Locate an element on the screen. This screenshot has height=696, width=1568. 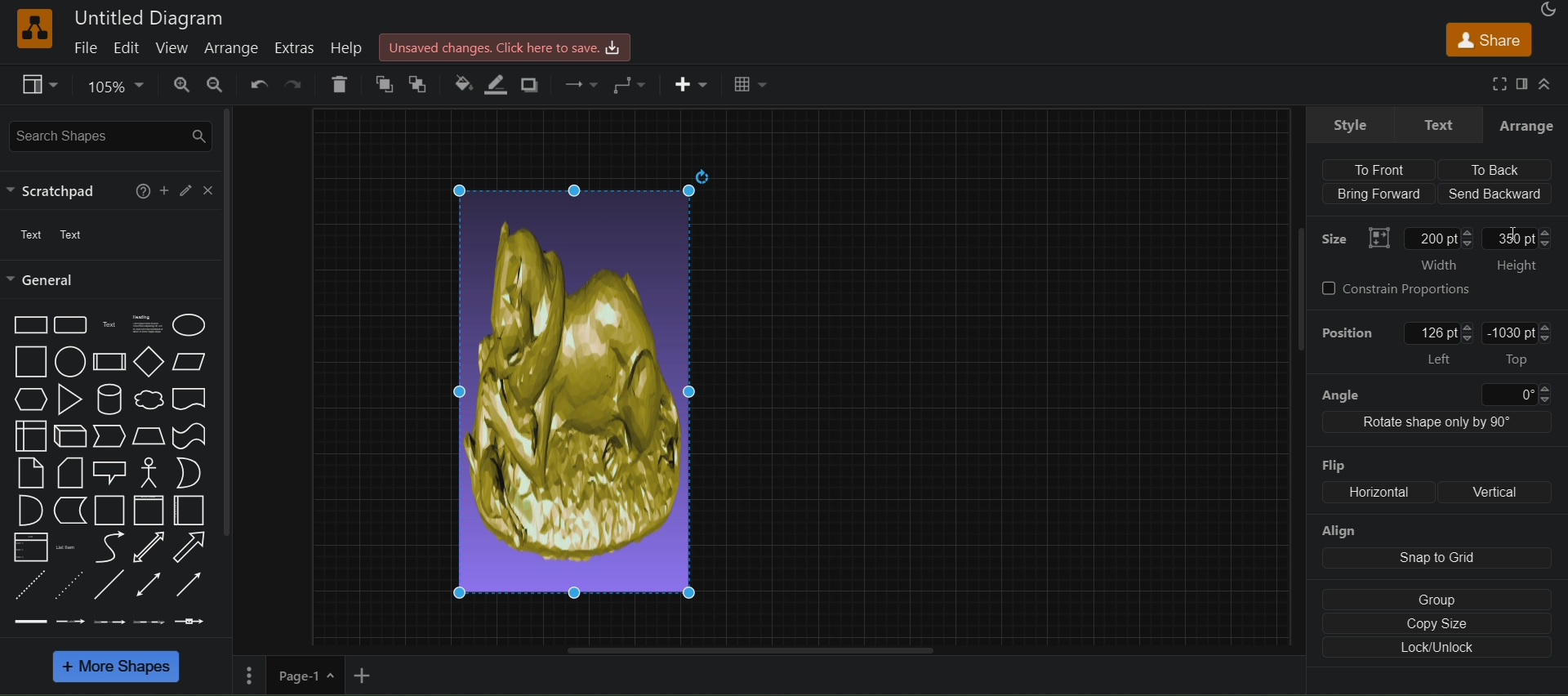
help is located at coordinates (140, 190).